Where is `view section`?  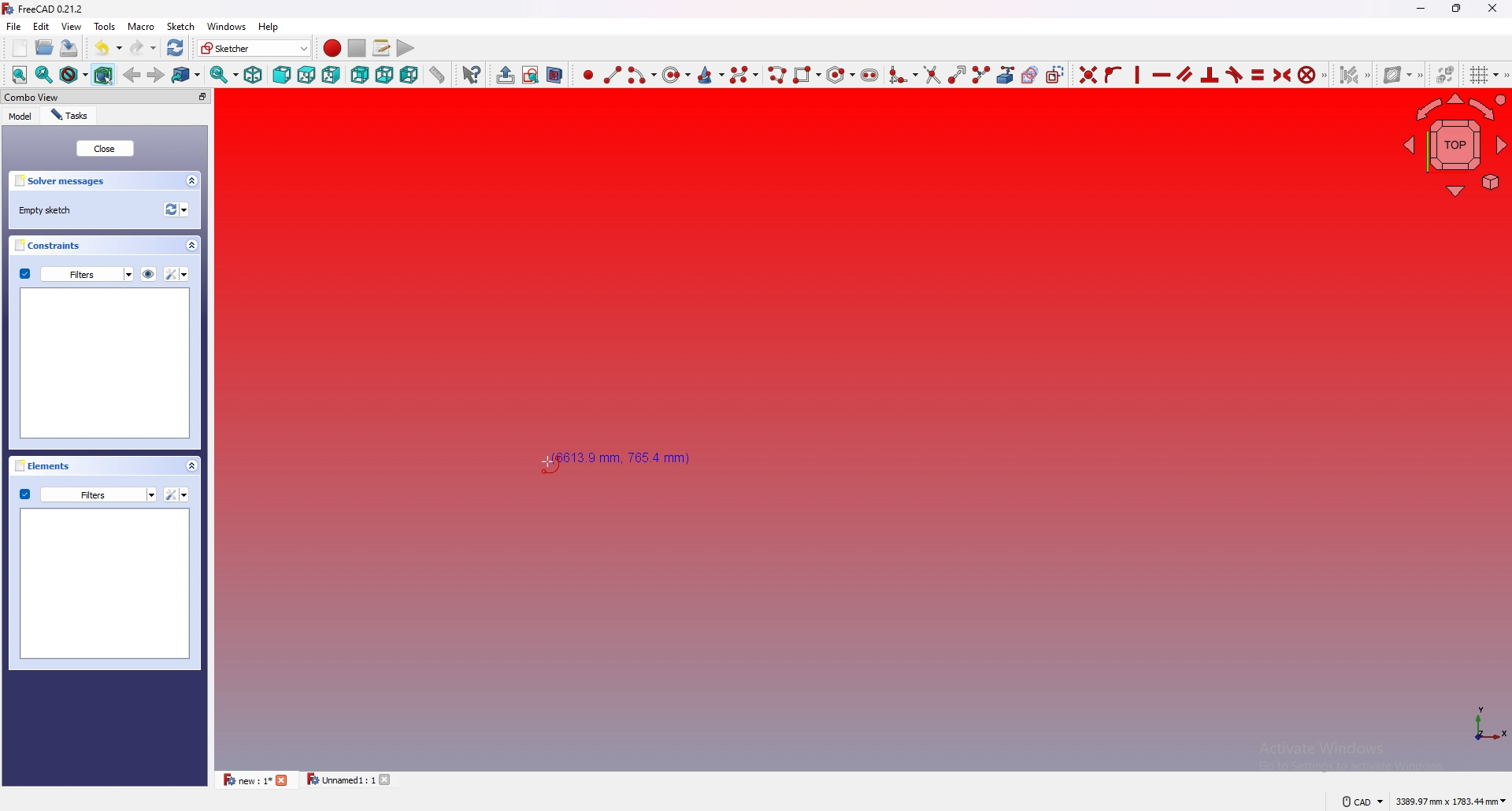 view section is located at coordinates (554, 75).